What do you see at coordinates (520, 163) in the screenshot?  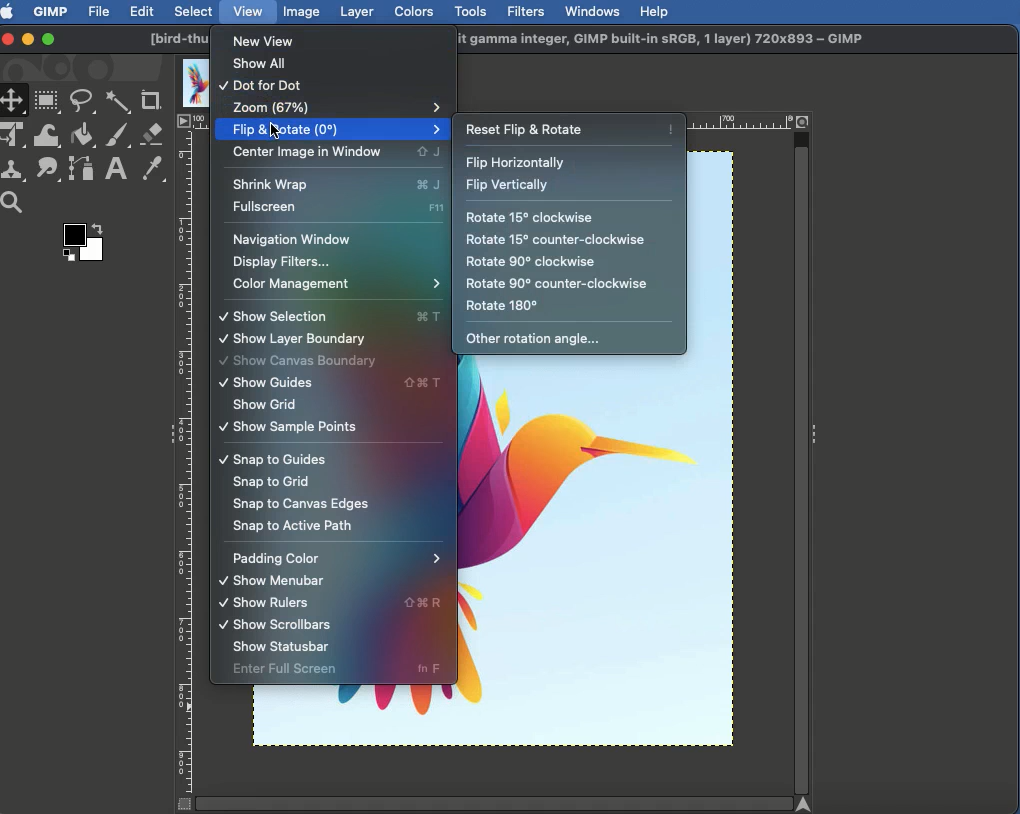 I see `Flip horizontal` at bounding box center [520, 163].